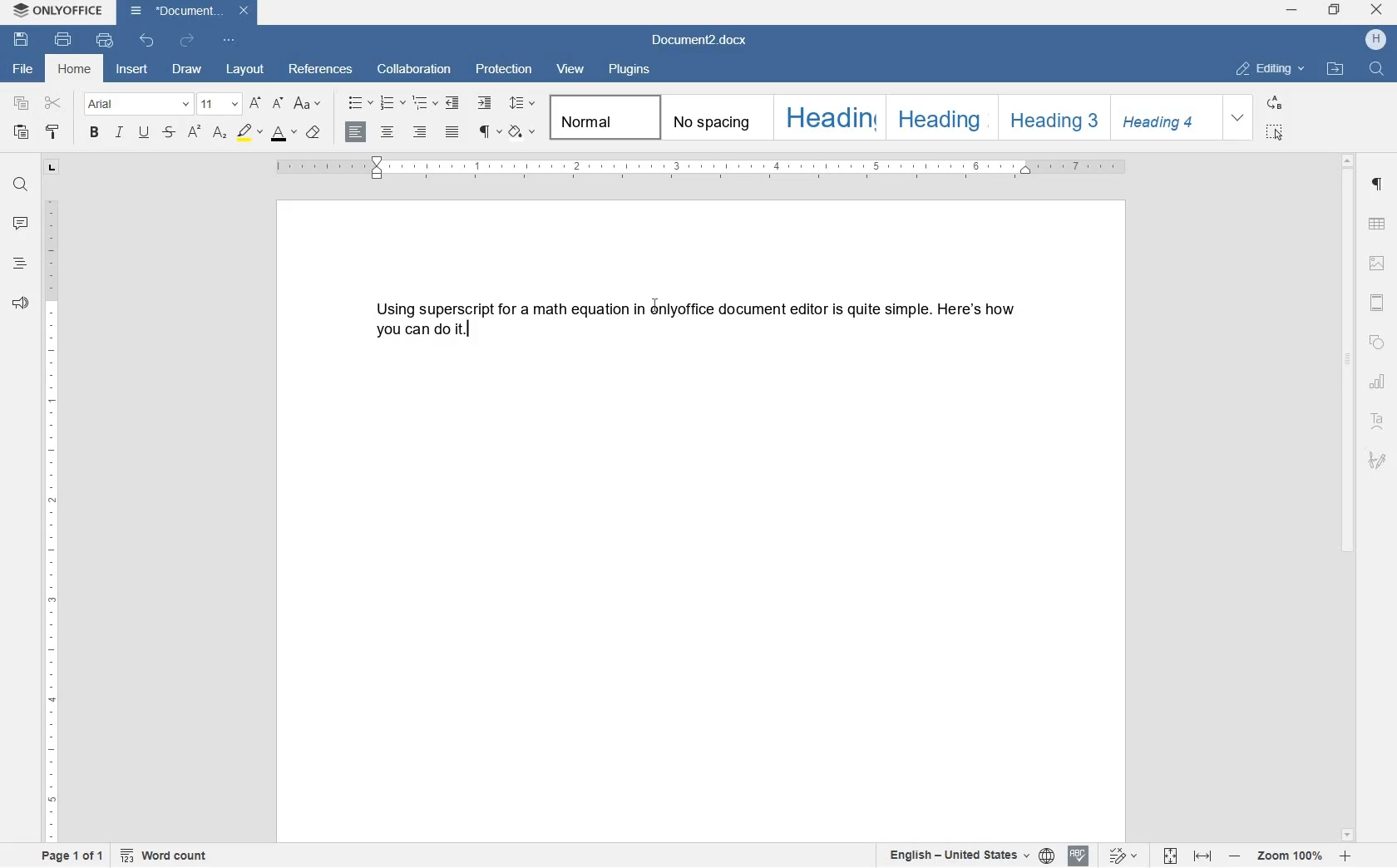  What do you see at coordinates (21, 70) in the screenshot?
I see `file` at bounding box center [21, 70].